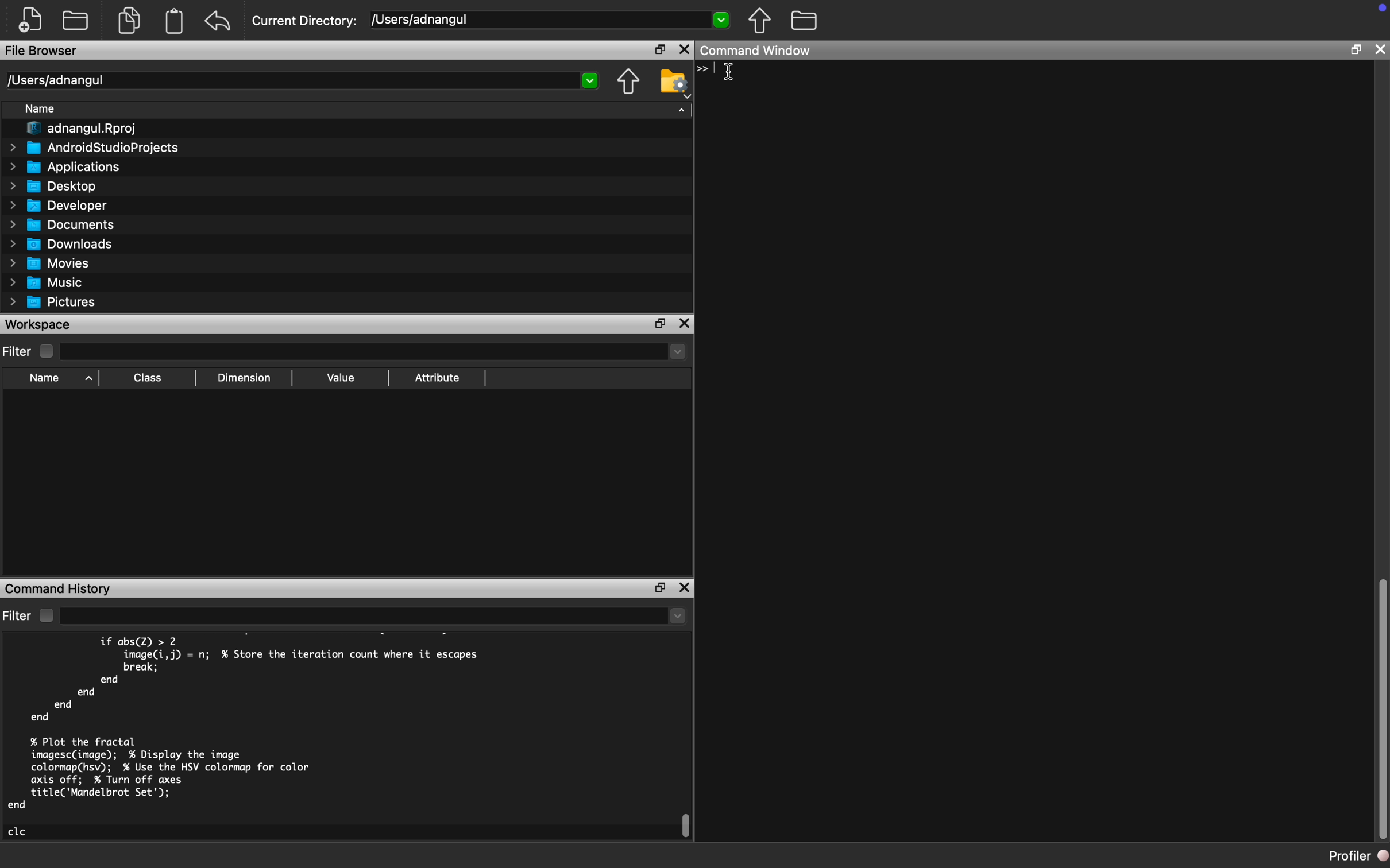  What do you see at coordinates (249, 378) in the screenshot?
I see `Dimension` at bounding box center [249, 378].